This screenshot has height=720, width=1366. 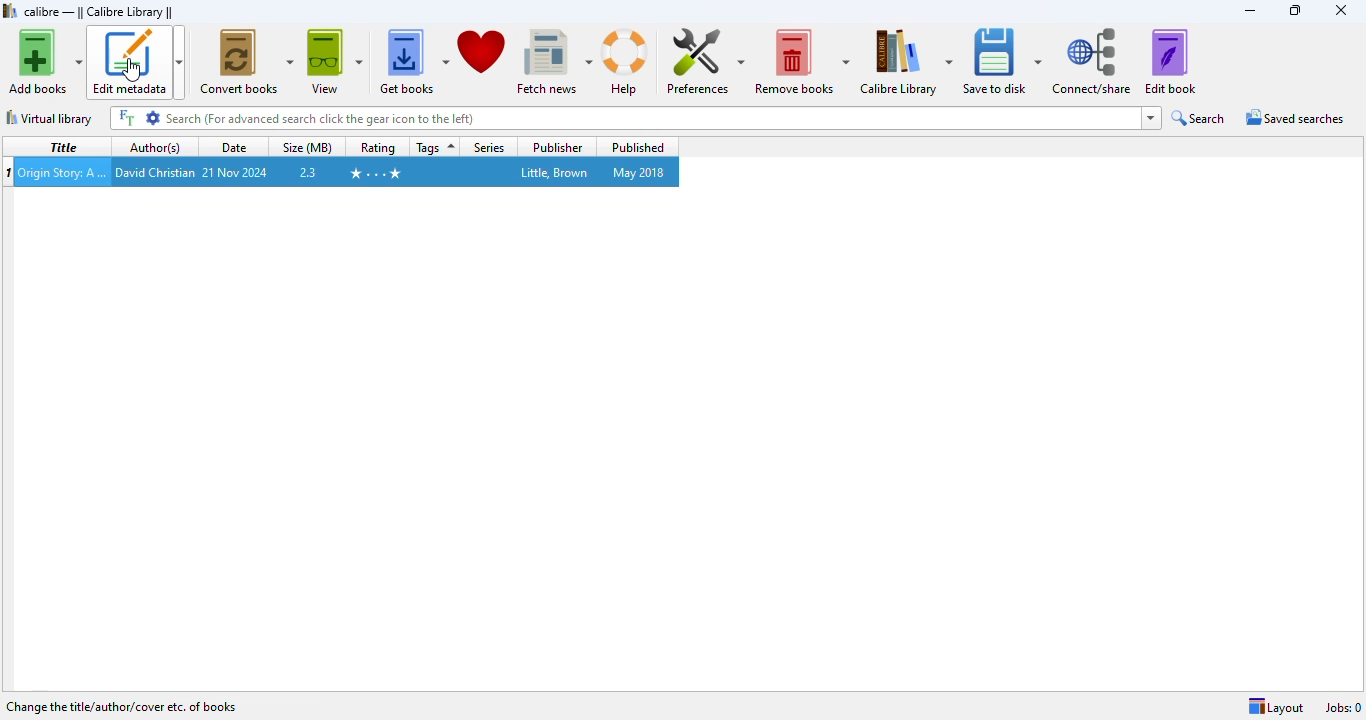 What do you see at coordinates (45, 61) in the screenshot?
I see `add books` at bounding box center [45, 61].